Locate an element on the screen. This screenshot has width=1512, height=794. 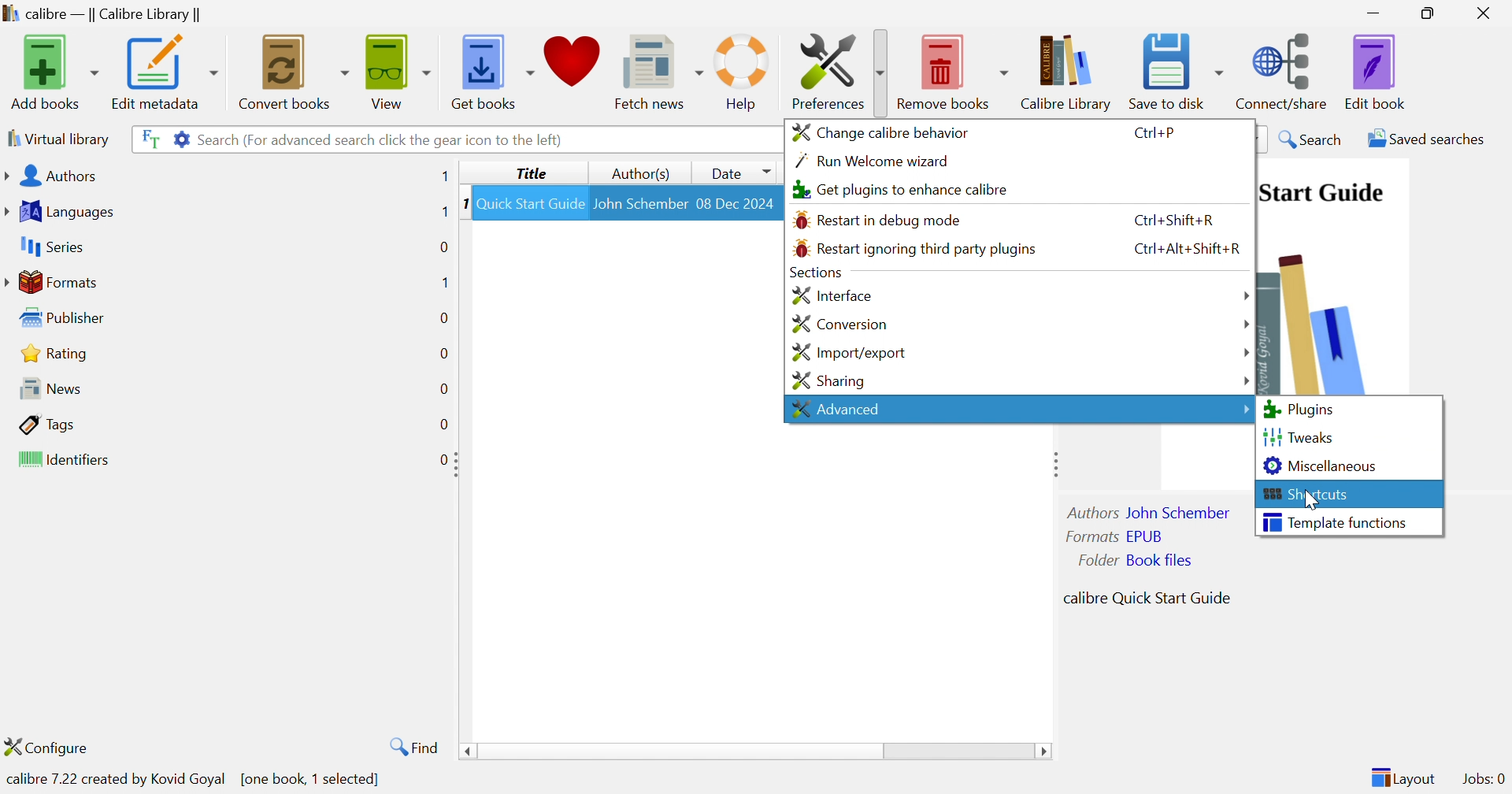
Authors is located at coordinates (54, 177).